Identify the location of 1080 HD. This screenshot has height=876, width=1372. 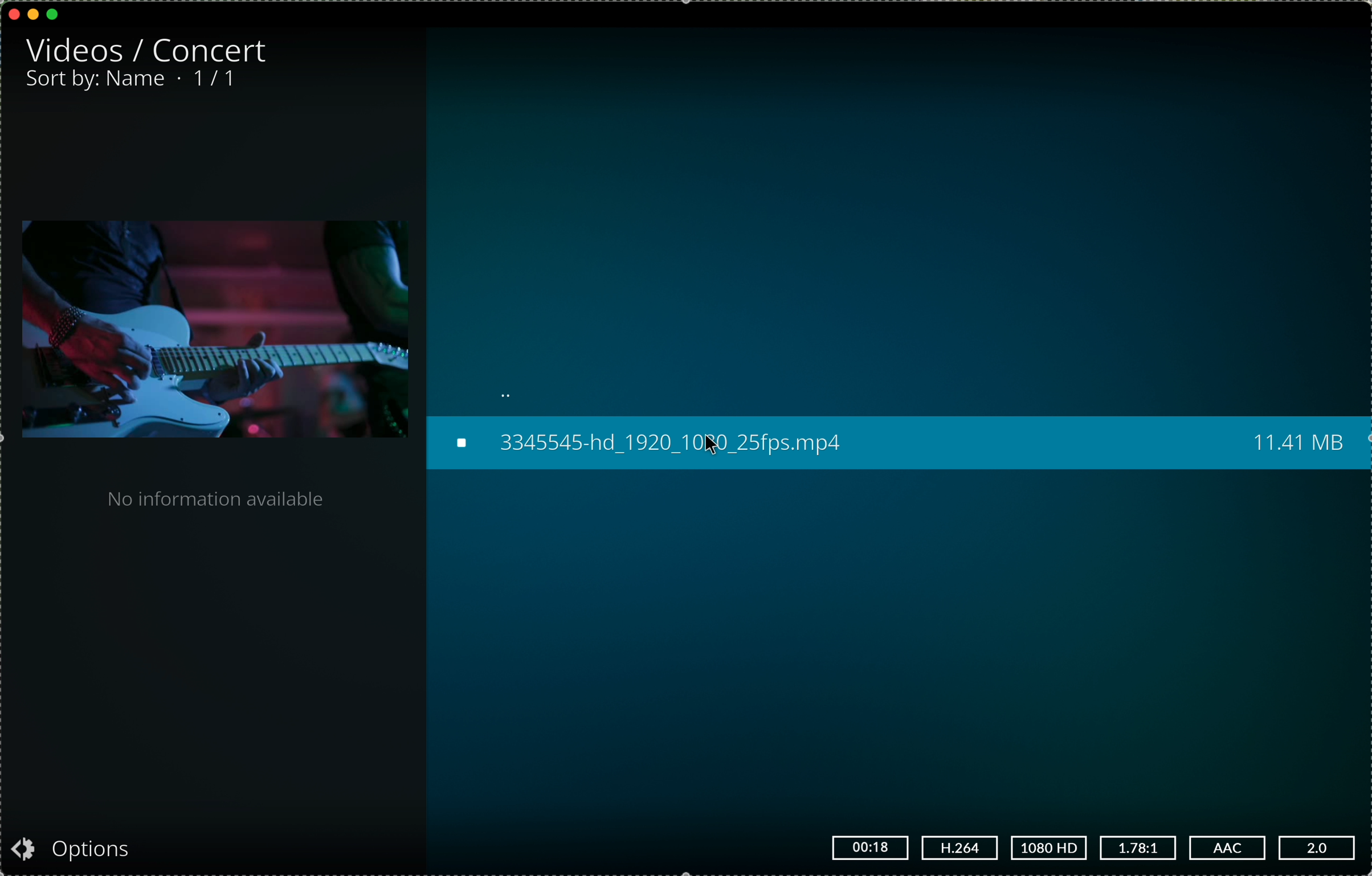
(1051, 848).